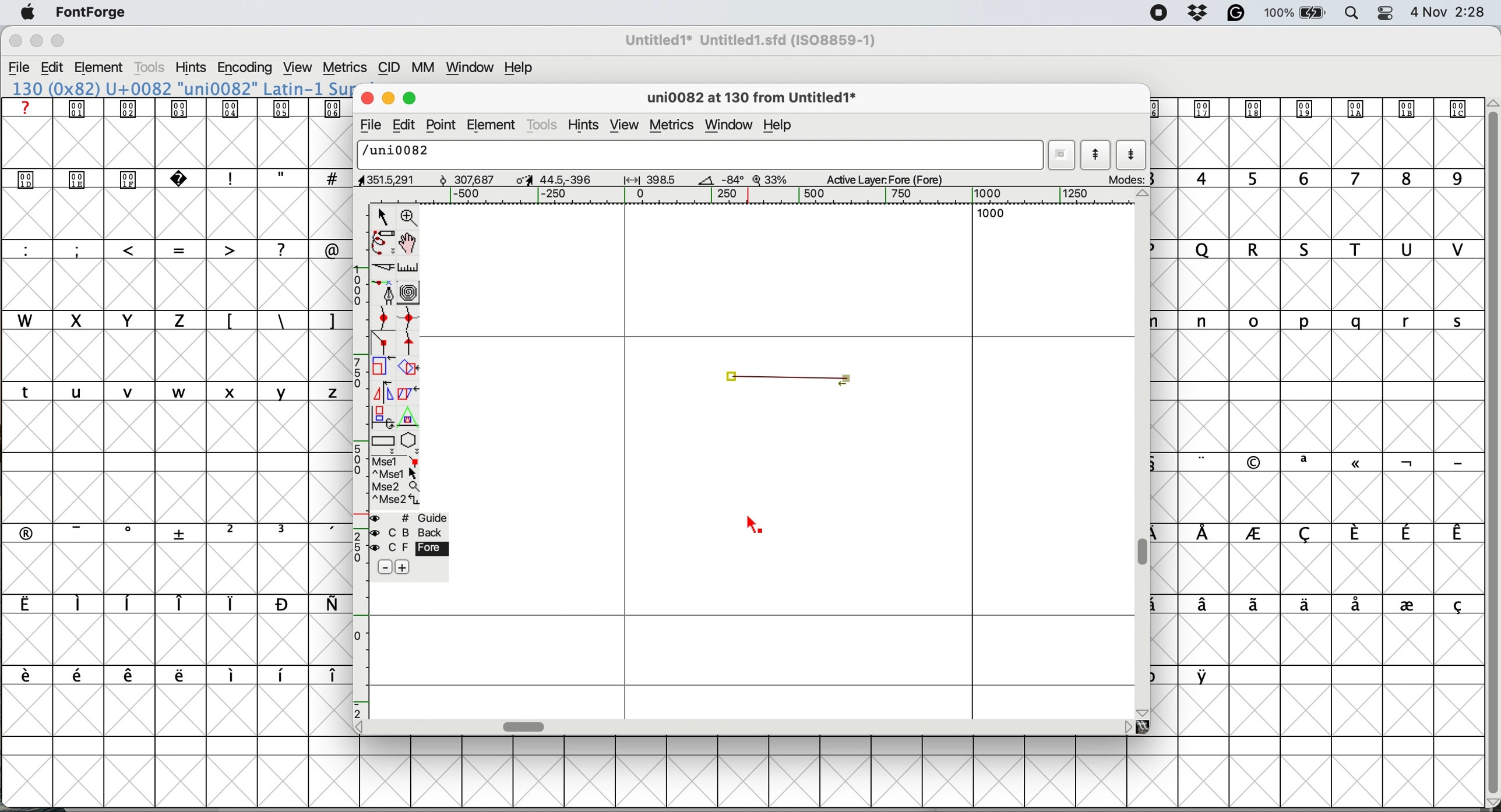 This screenshot has width=1501, height=812. What do you see at coordinates (406, 391) in the screenshot?
I see `skew the selection` at bounding box center [406, 391].